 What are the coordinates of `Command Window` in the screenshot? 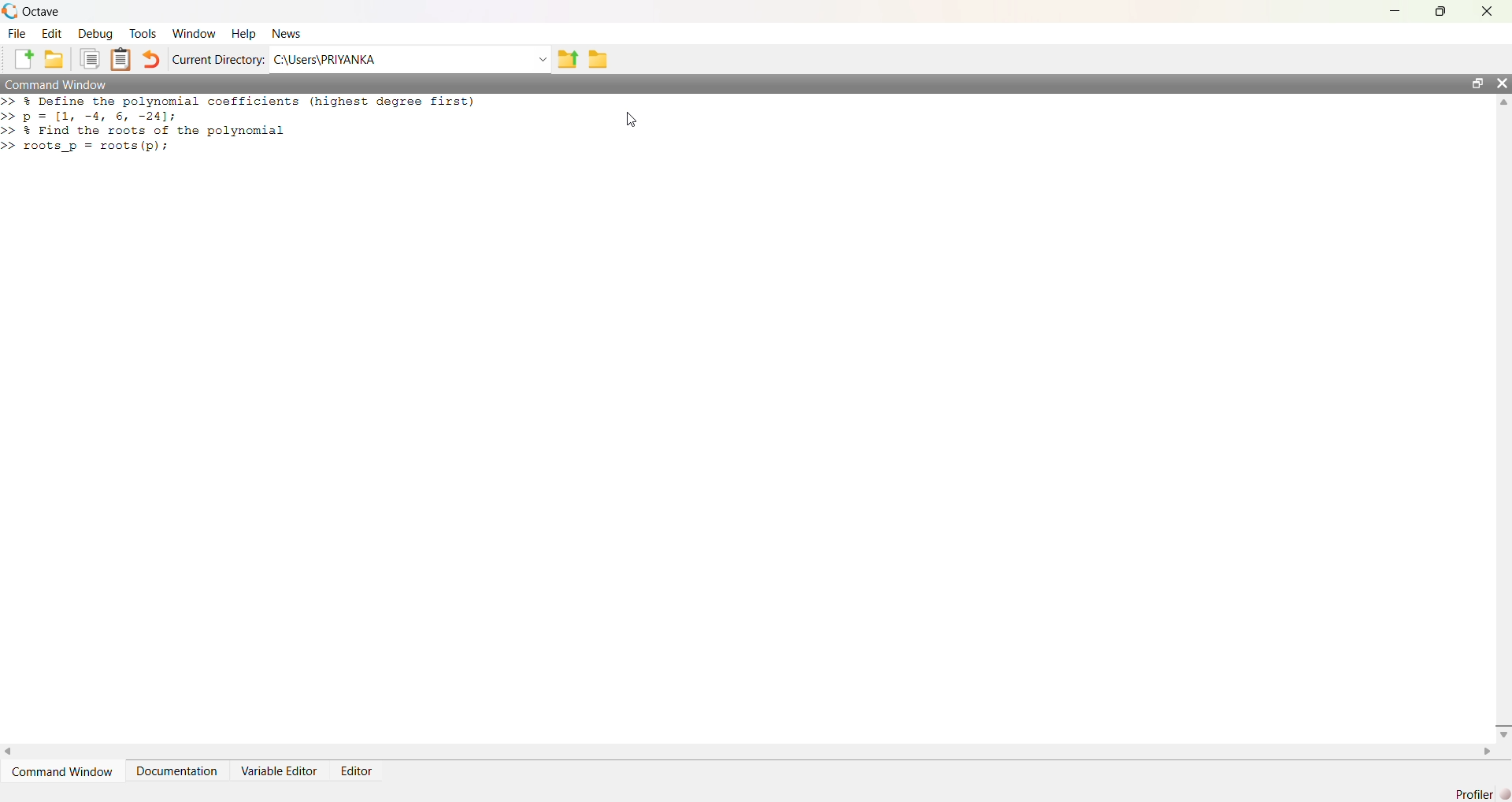 It's located at (731, 83).